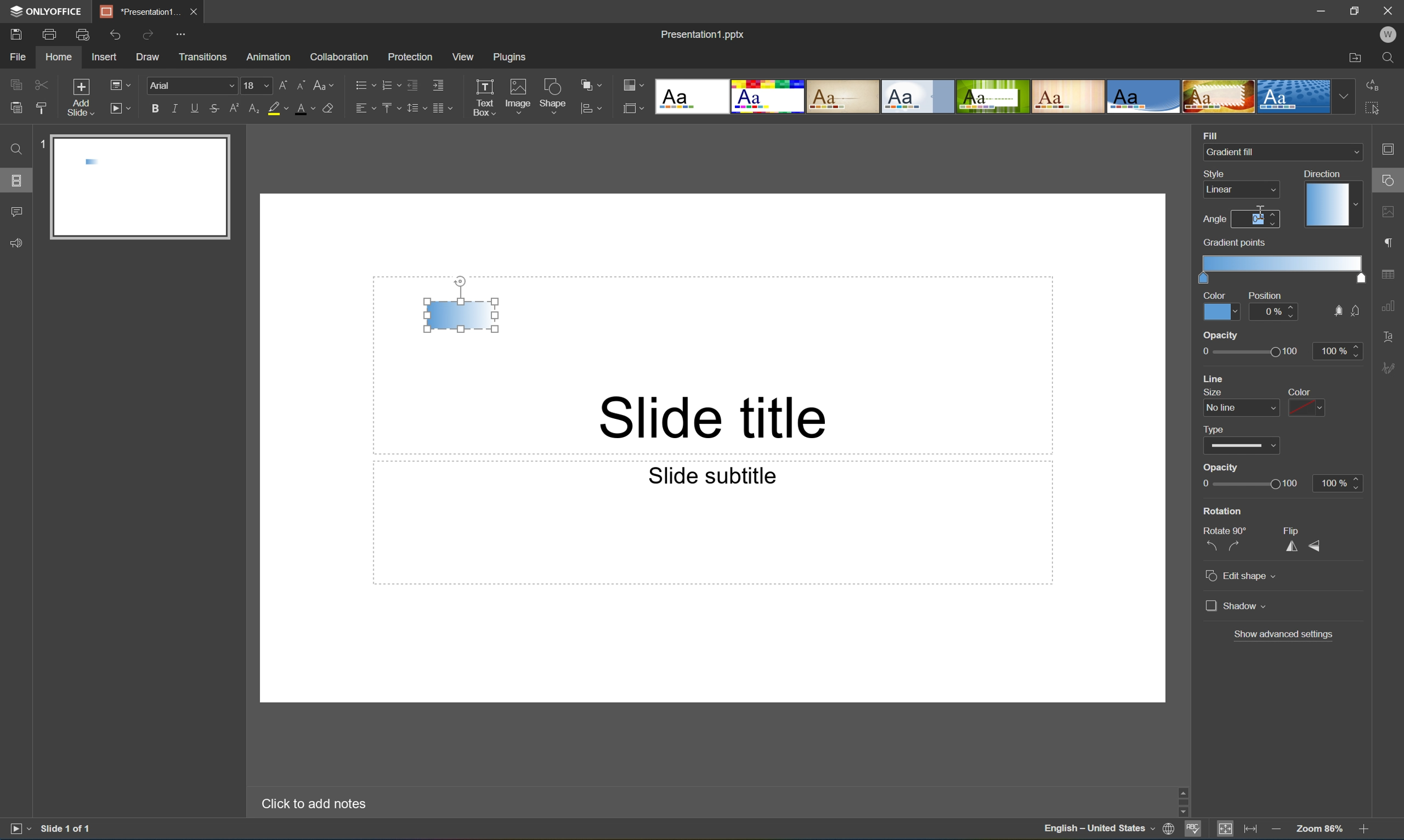 This screenshot has height=840, width=1404. Describe the element at coordinates (1222, 468) in the screenshot. I see `Opacity` at that location.